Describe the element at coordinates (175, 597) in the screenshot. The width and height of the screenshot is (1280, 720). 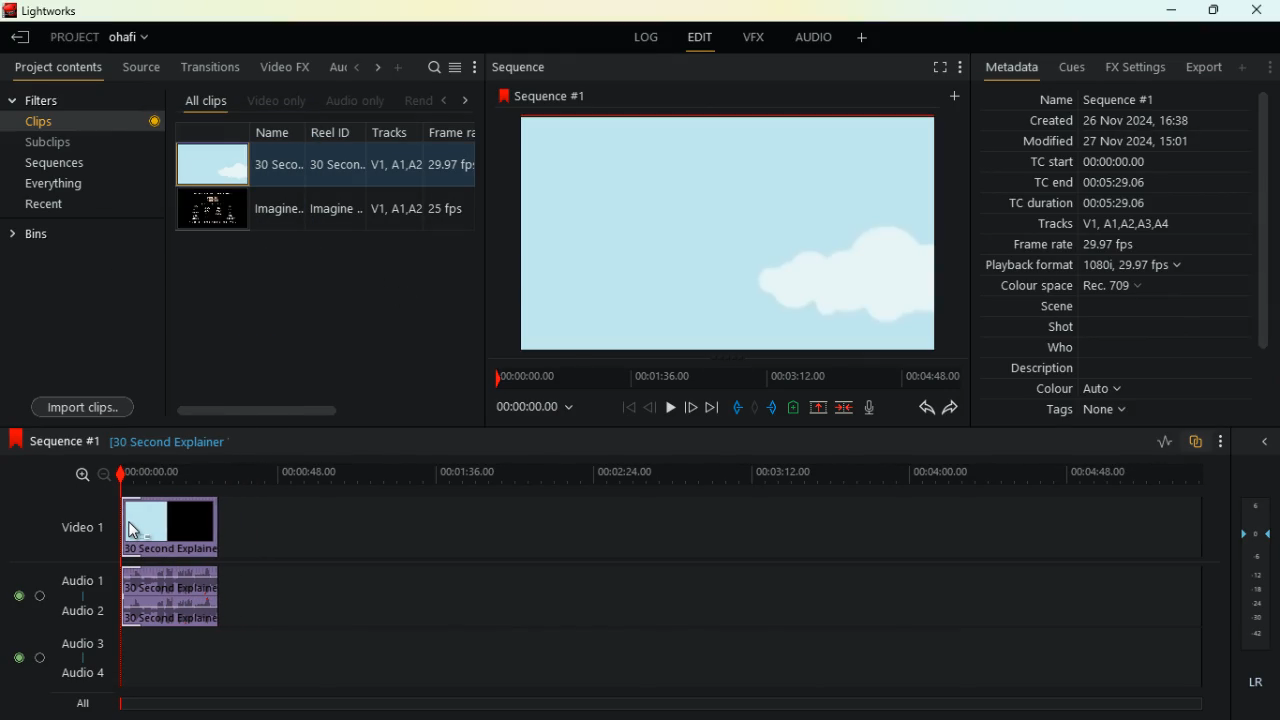
I see `audio` at that location.